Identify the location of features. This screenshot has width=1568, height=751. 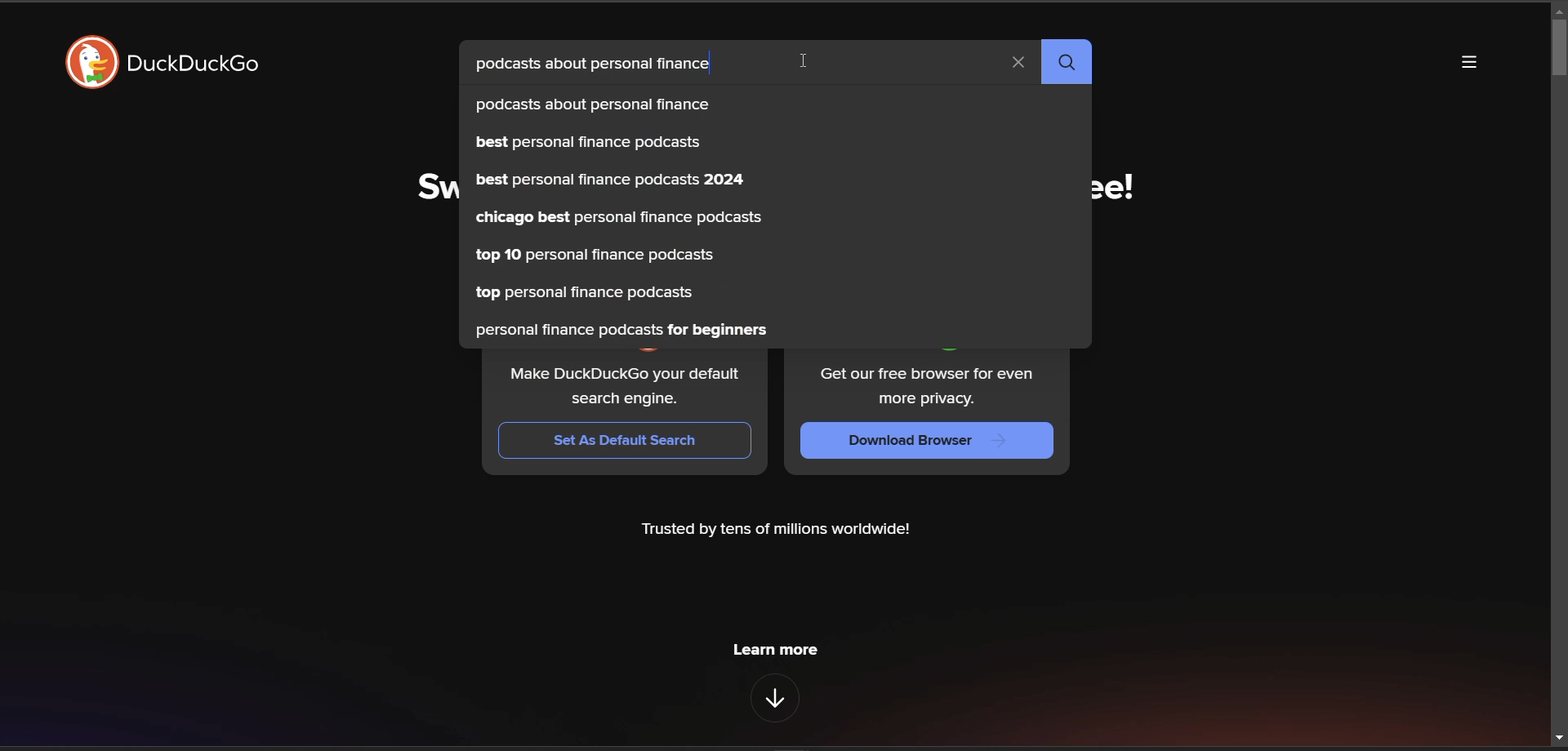
(776, 696).